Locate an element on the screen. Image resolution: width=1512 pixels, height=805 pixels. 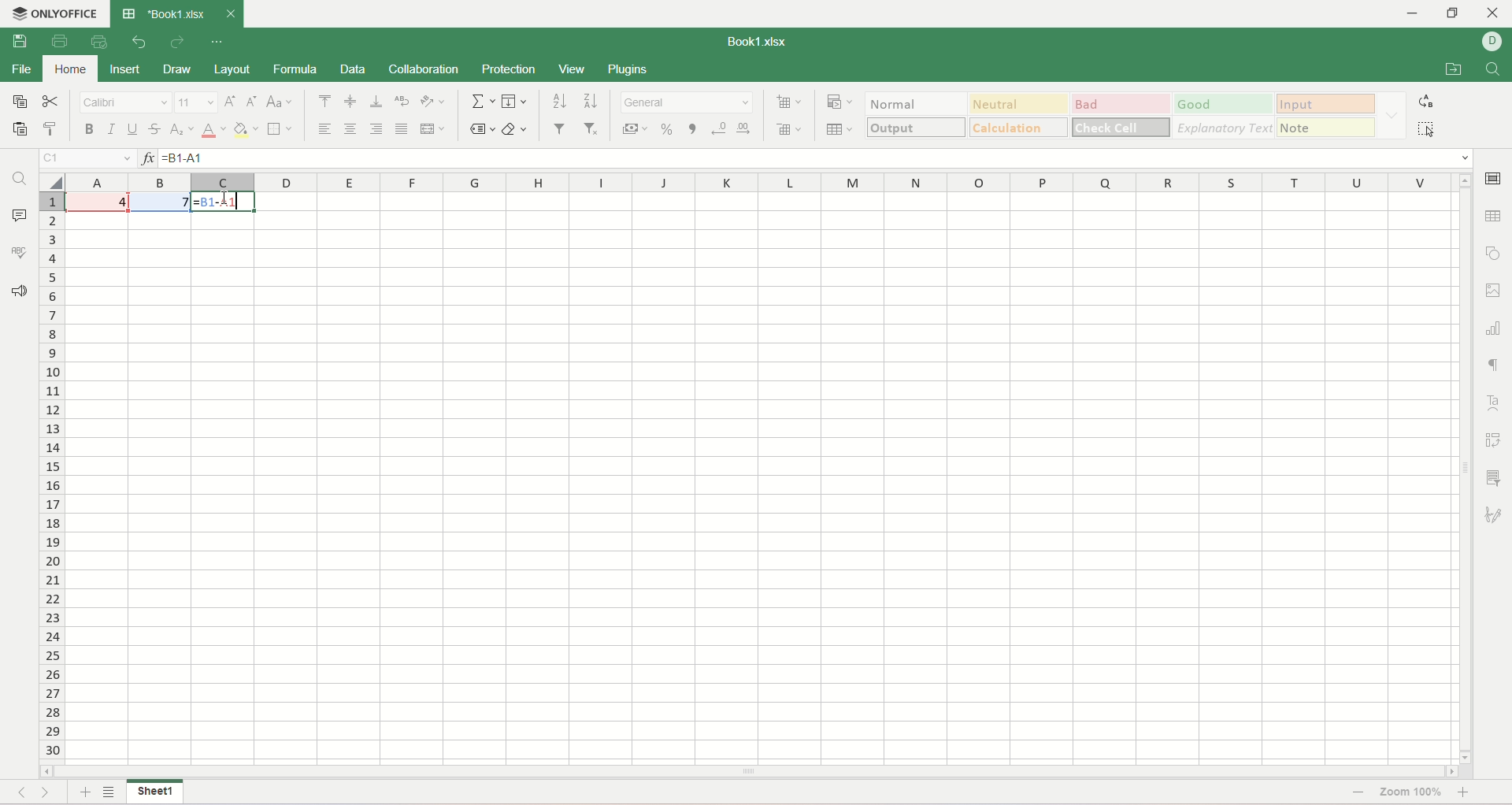
summation is located at coordinates (481, 101).